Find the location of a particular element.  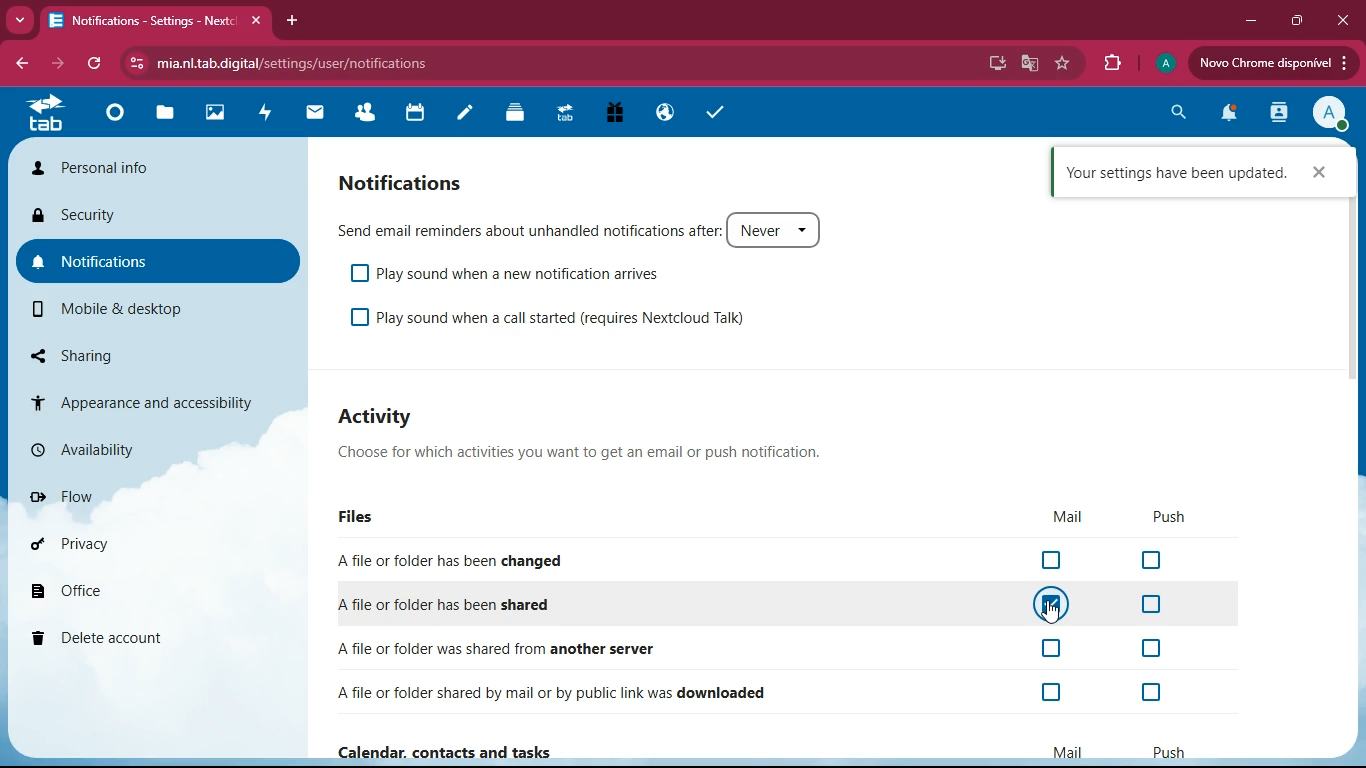

maximize is located at coordinates (1295, 21).